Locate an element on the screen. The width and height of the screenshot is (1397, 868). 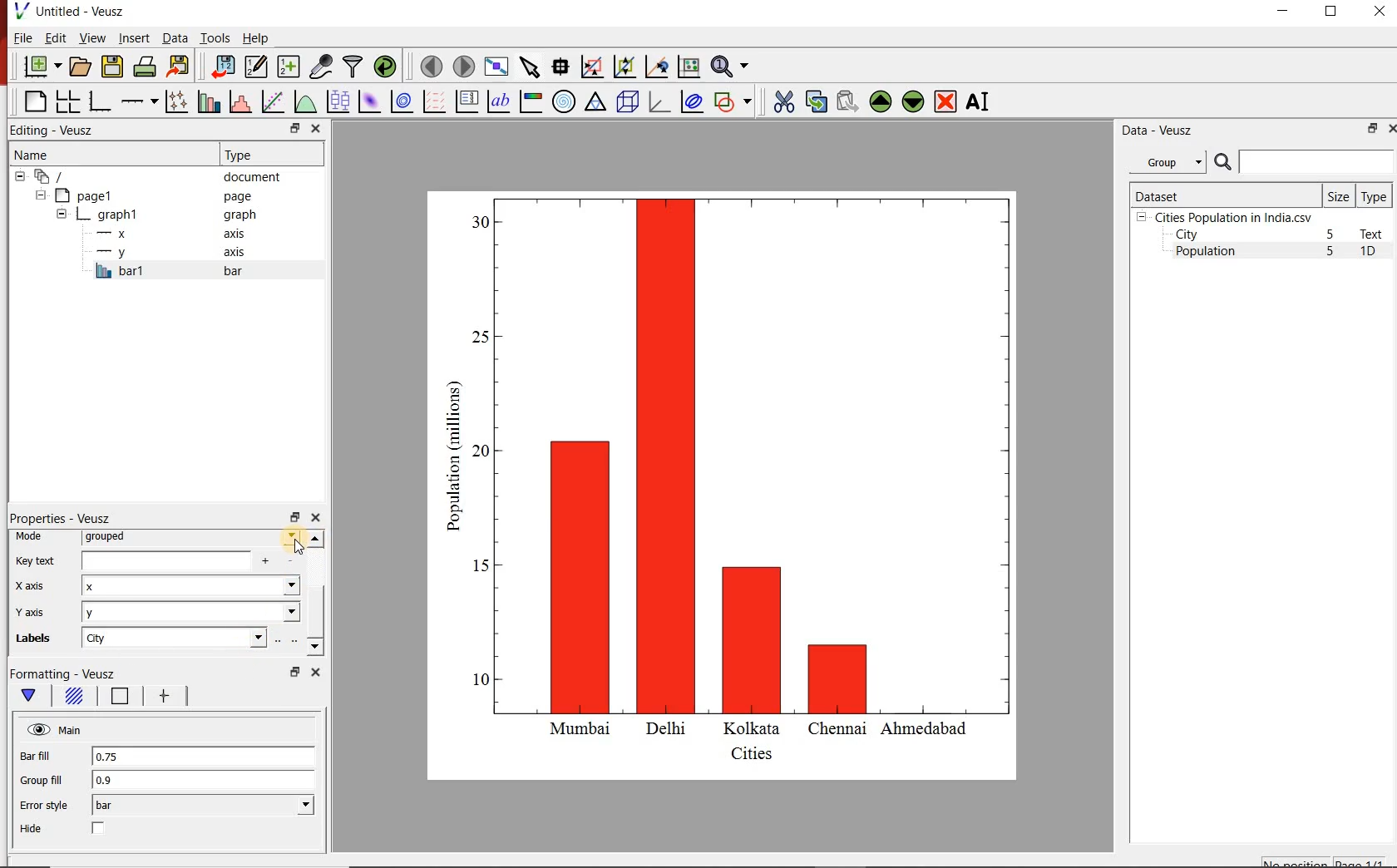
plot a 2d dataset as contours is located at coordinates (400, 101).